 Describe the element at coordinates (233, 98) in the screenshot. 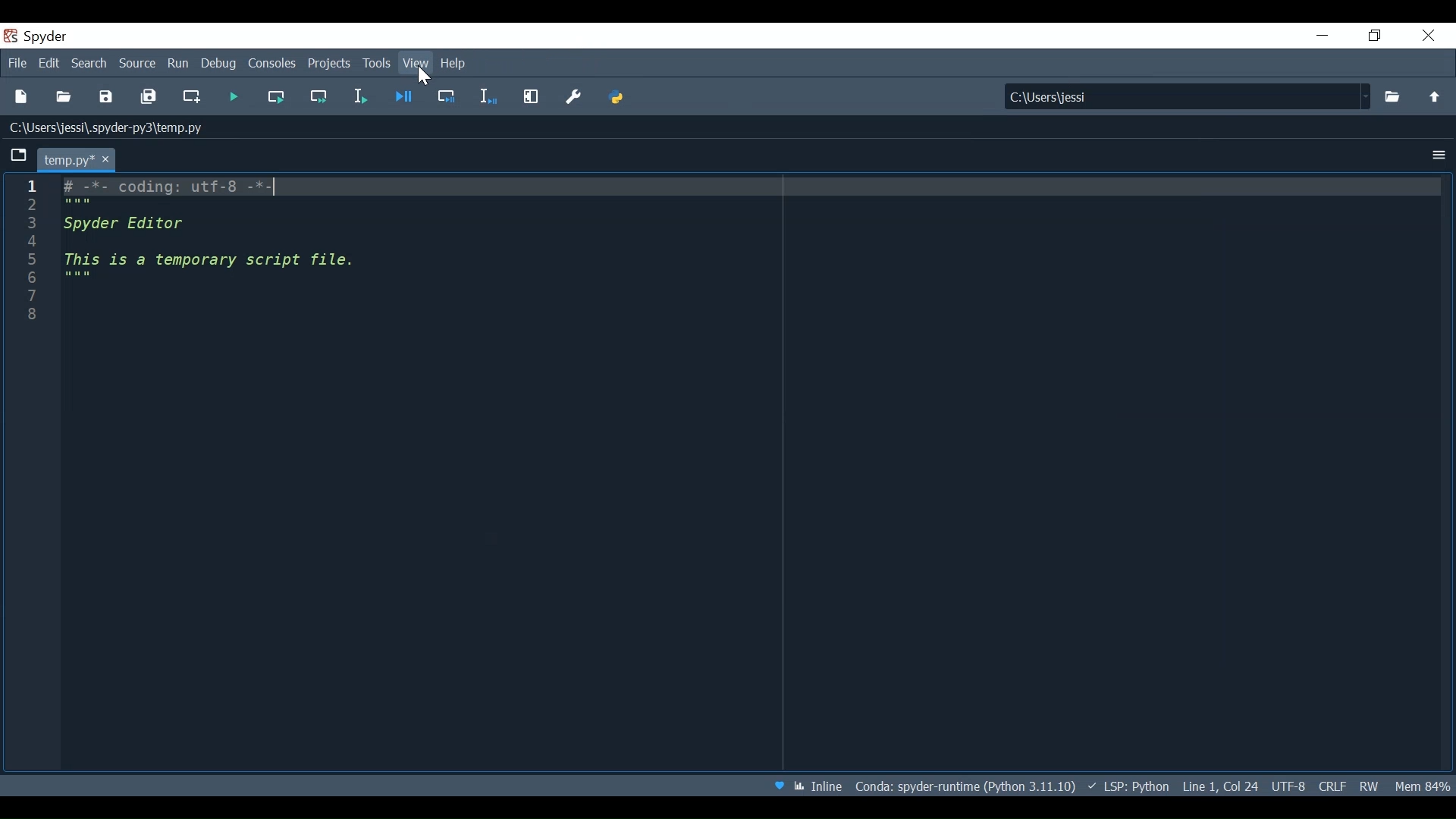

I see `Run` at that location.